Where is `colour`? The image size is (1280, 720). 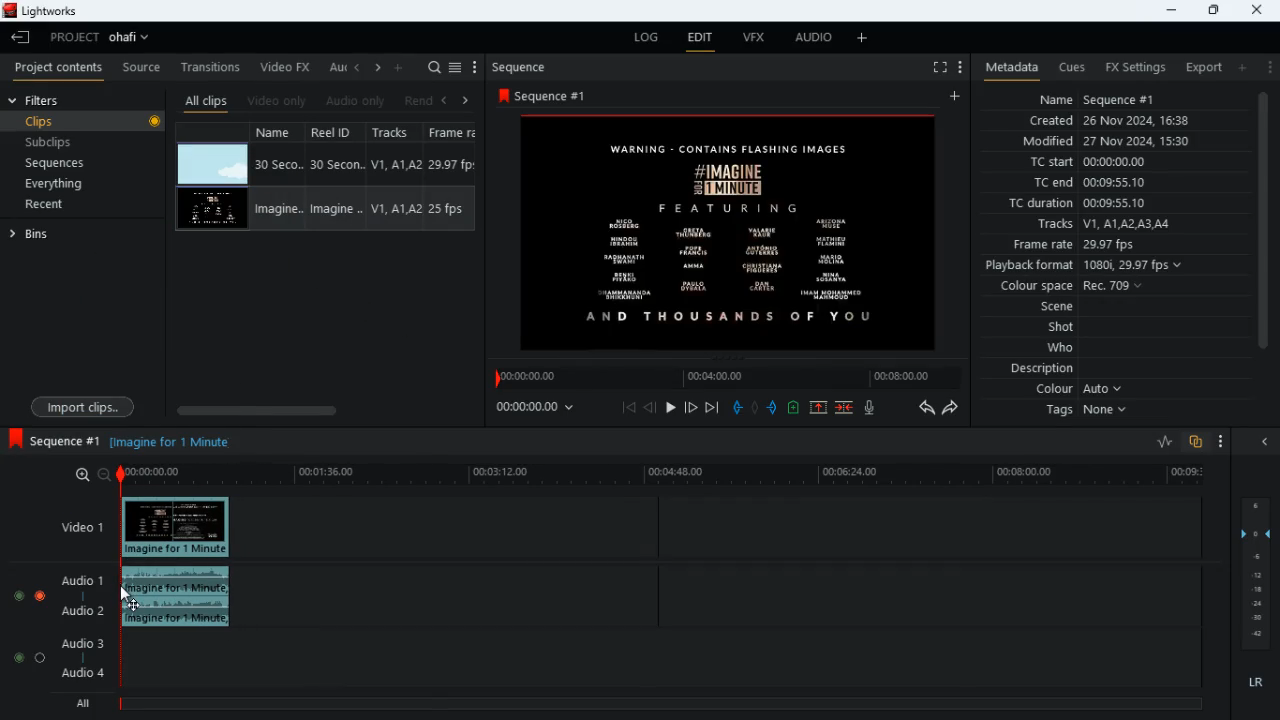 colour is located at coordinates (1080, 390).